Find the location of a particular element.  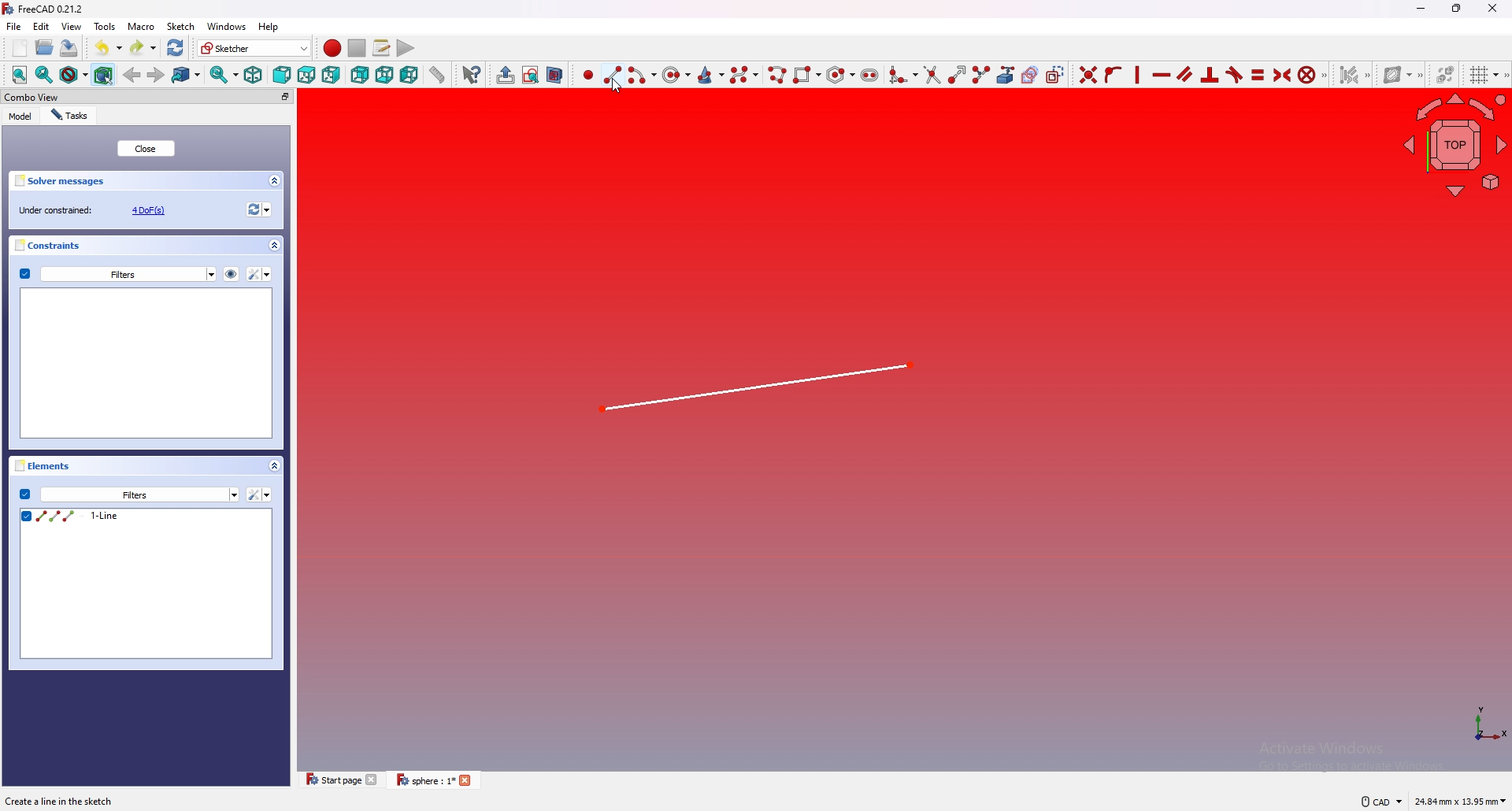

Create carbon copy is located at coordinates (1028, 75).